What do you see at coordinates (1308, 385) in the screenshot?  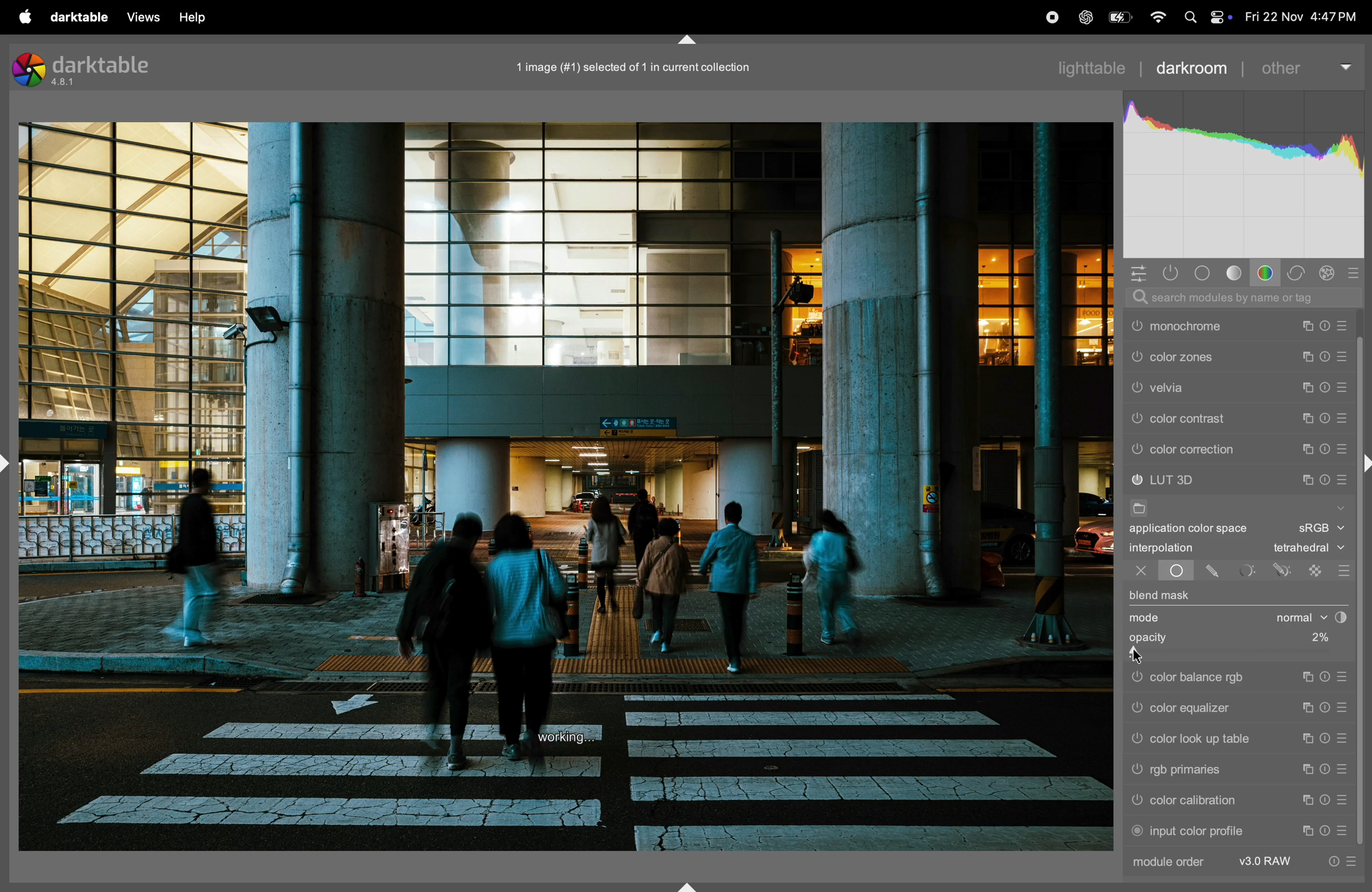 I see `multiple intance actions` at bounding box center [1308, 385].